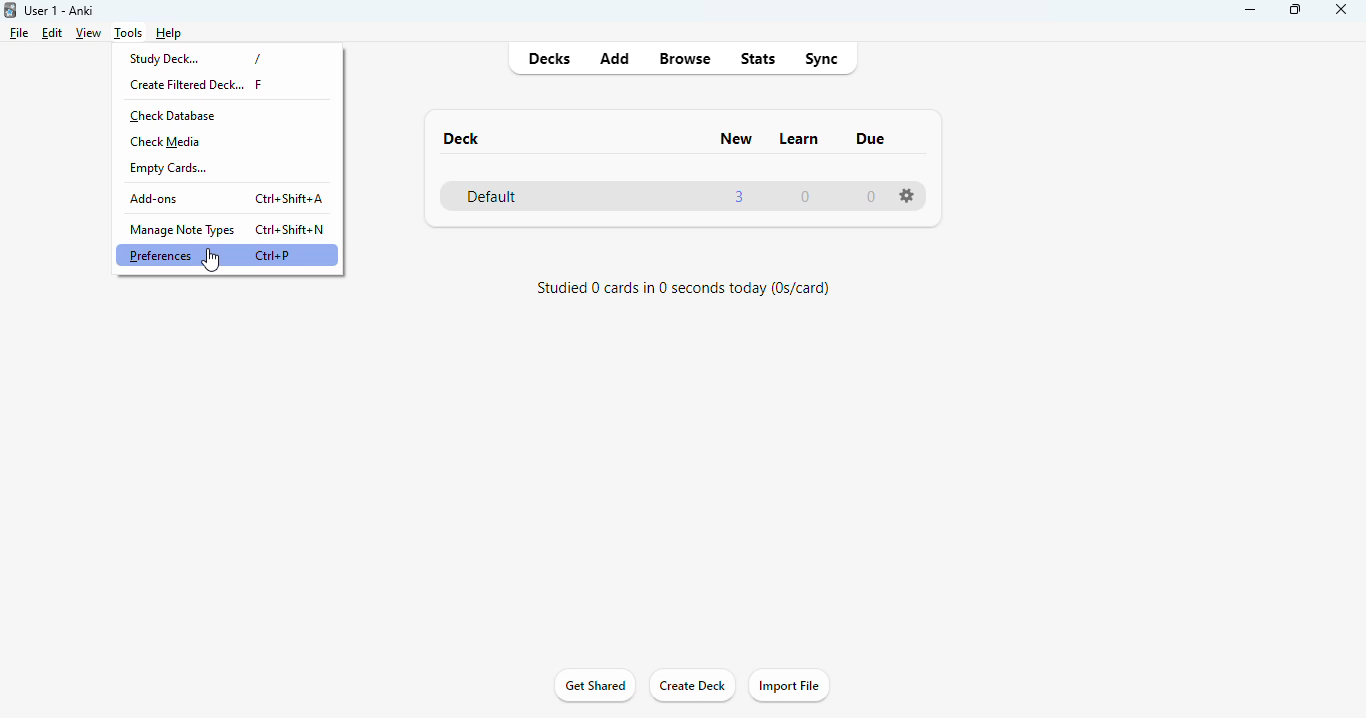 Image resolution: width=1366 pixels, height=718 pixels. What do you see at coordinates (213, 260) in the screenshot?
I see `cursor` at bounding box center [213, 260].